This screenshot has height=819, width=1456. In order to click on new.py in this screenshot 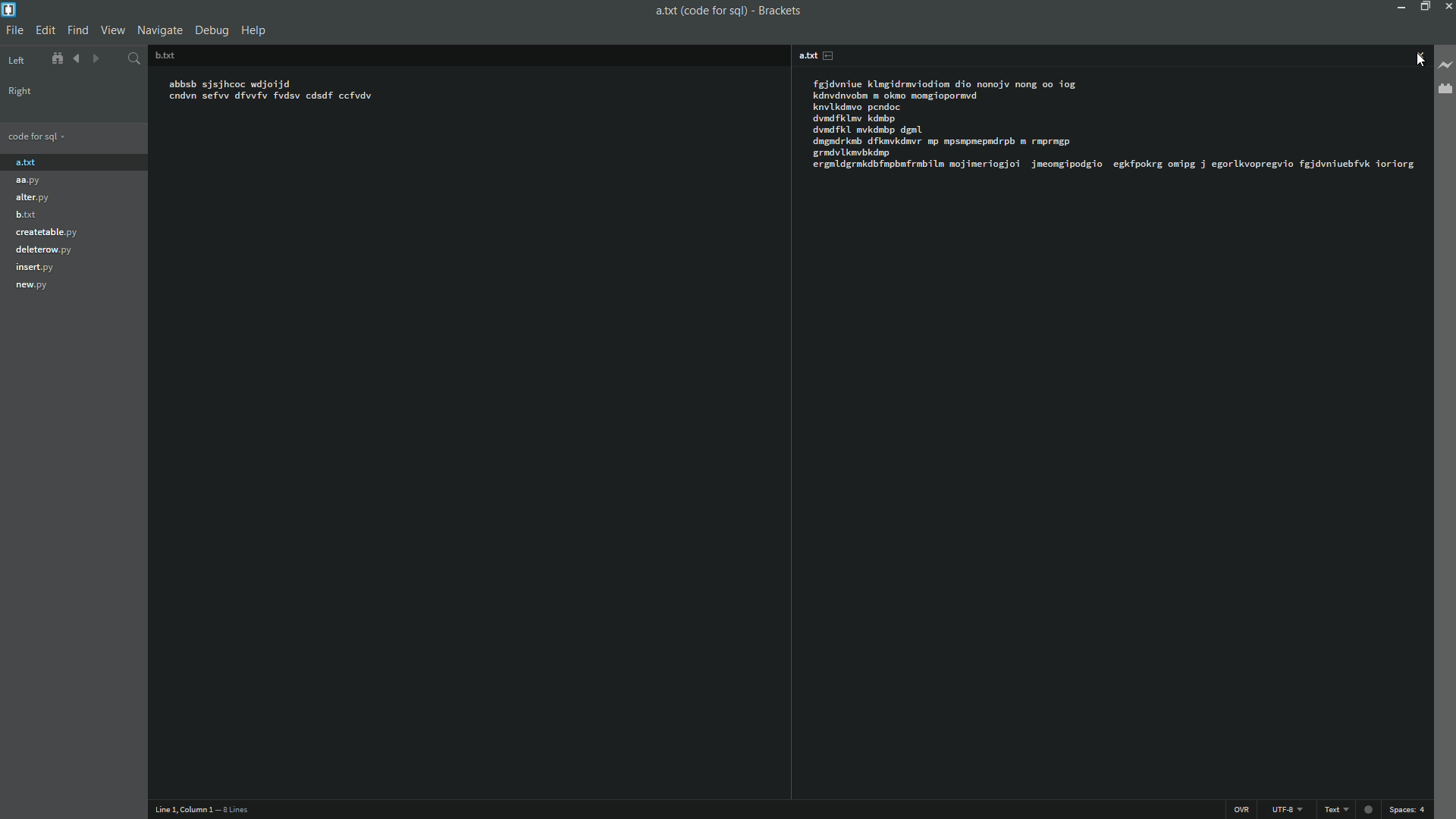, I will do `click(33, 287)`.